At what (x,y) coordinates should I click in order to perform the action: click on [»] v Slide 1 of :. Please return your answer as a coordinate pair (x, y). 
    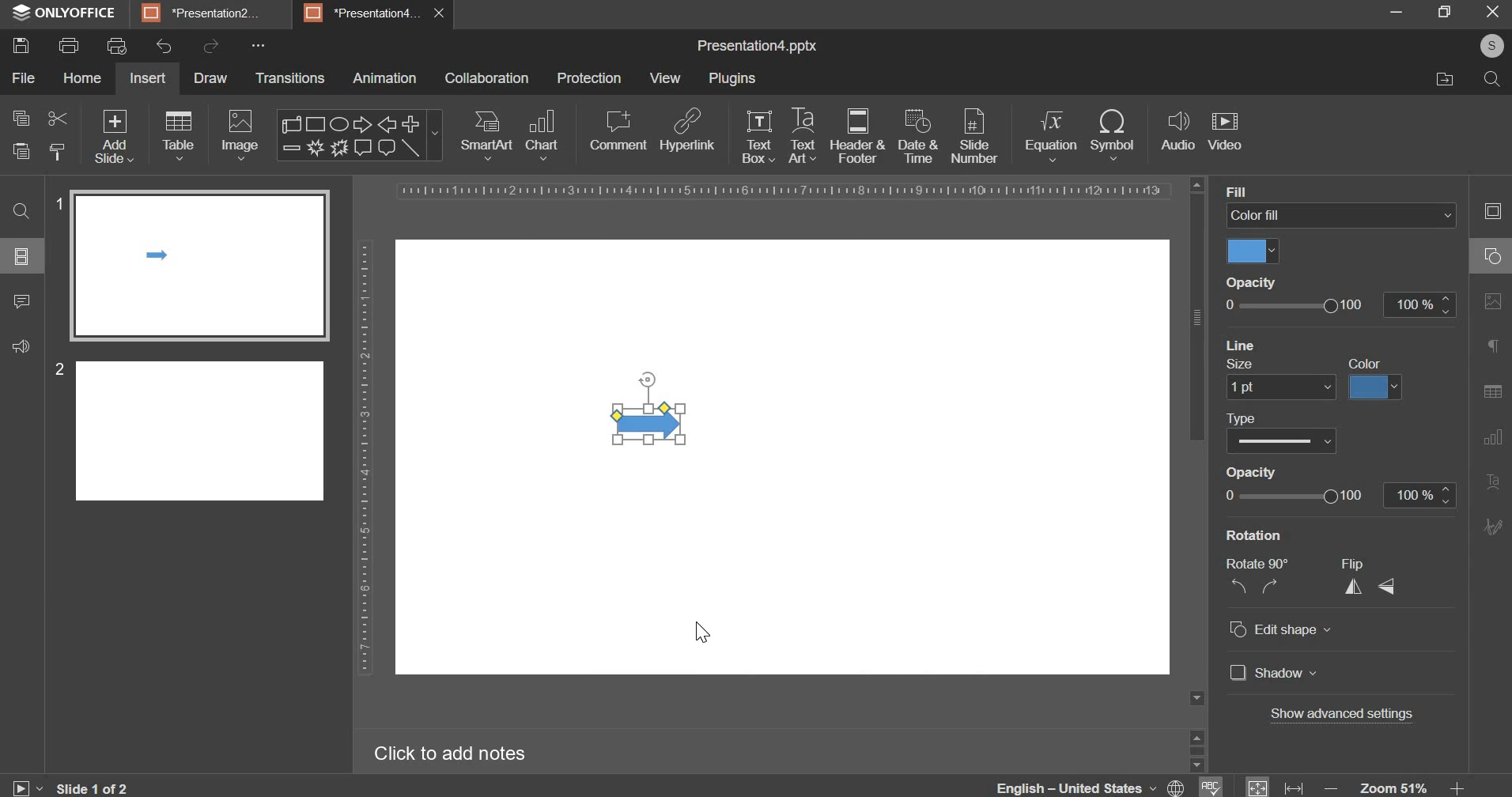
    Looking at the image, I should click on (8, 788).